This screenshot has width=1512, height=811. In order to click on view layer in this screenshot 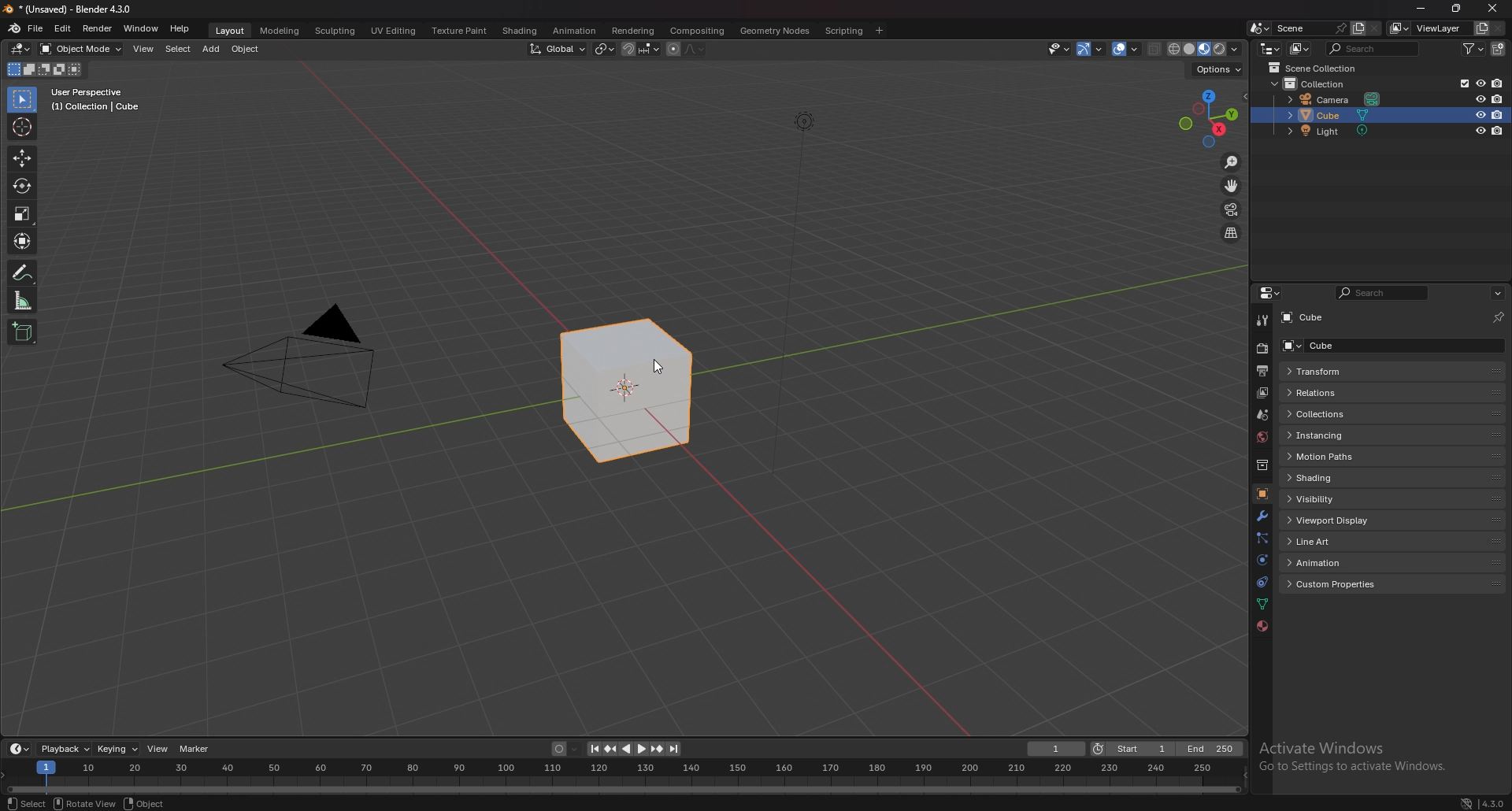, I will do `click(1427, 28)`.